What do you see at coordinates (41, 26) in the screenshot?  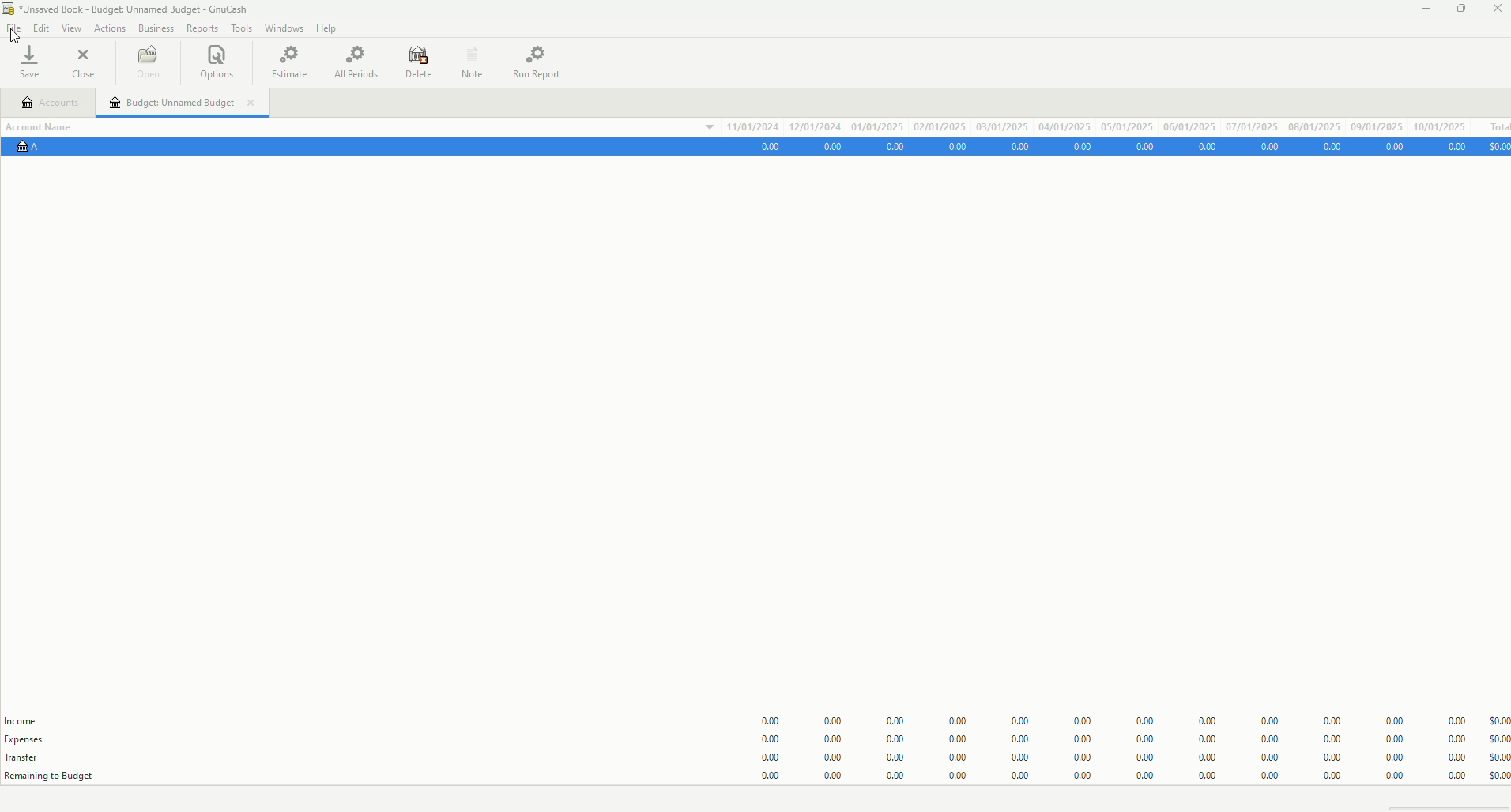 I see `Edit` at bounding box center [41, 26].